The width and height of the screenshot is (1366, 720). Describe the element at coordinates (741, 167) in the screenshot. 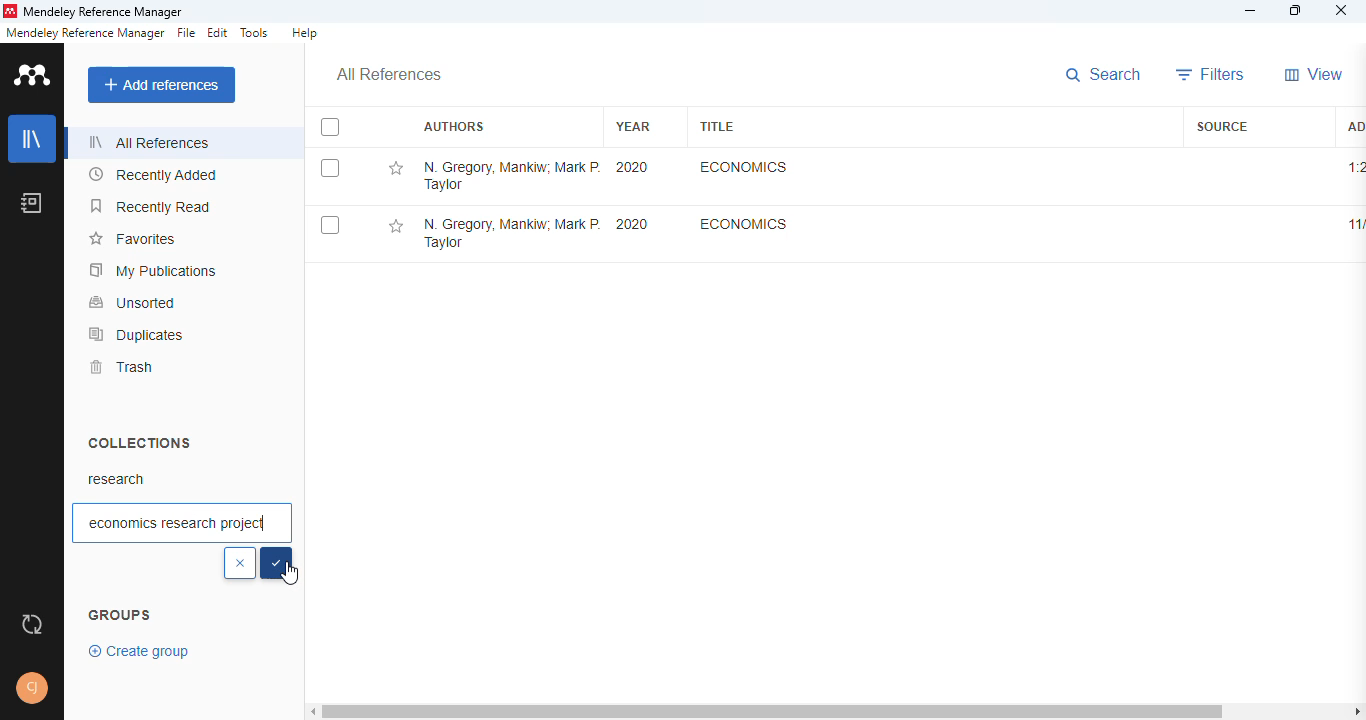

I see `Economics` at that location.